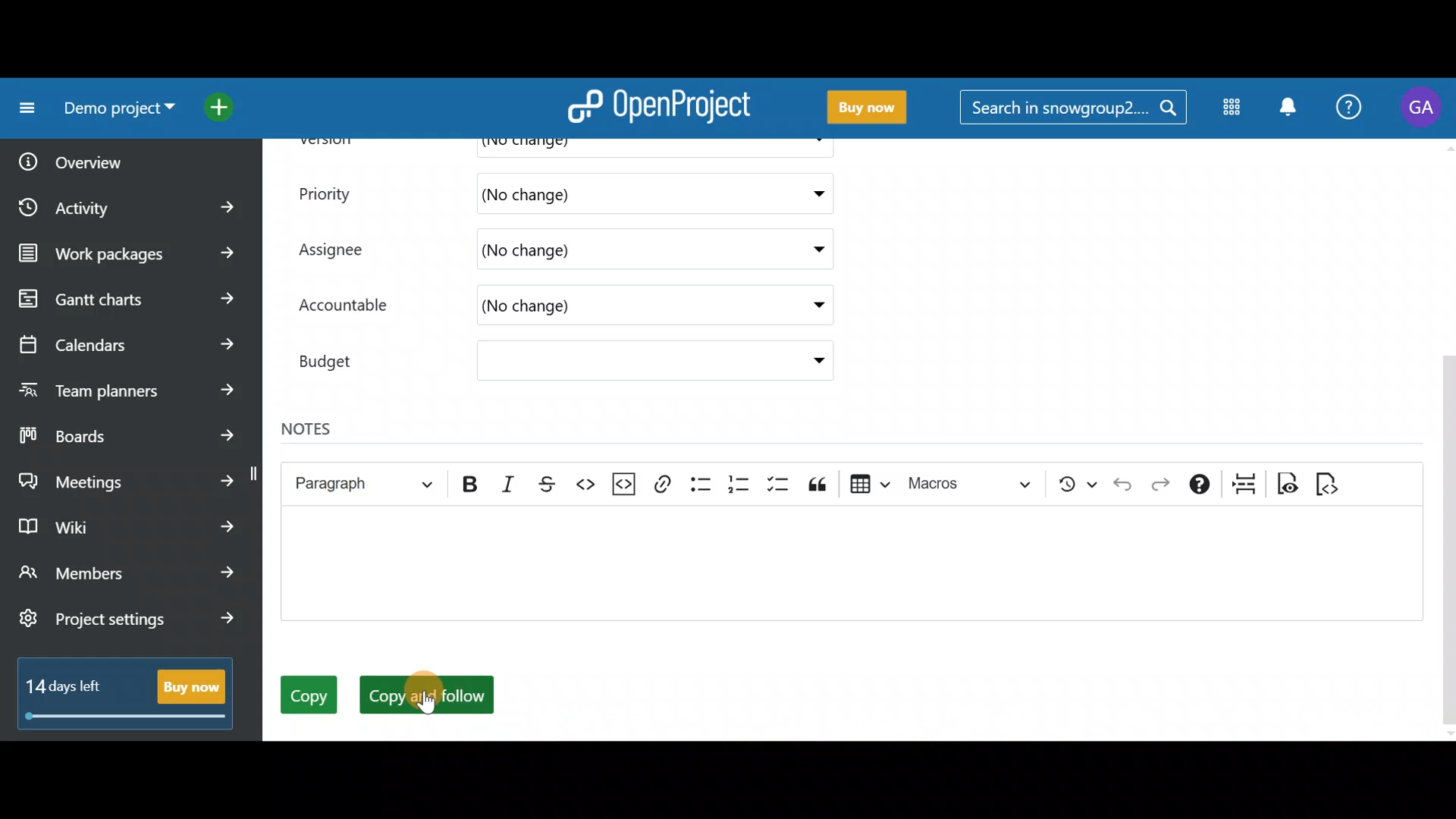 Image resolution: width=1456 pixels, height=819 pixels. Describe the element at coordinates (140, 629) in the screenshot. I see `Project settings` at that location.